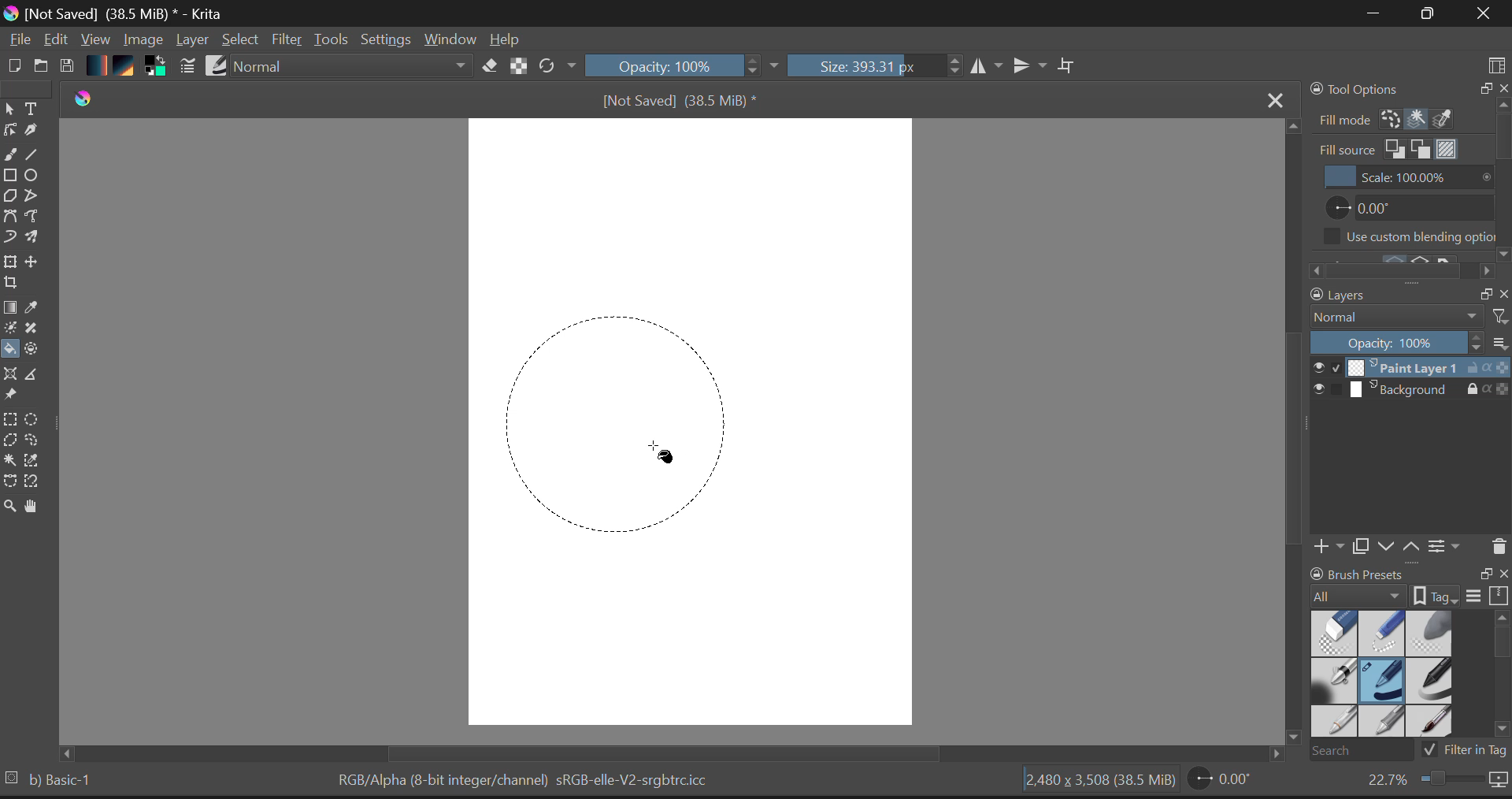 The height and width of the screenshot is (799, 1512). Describe the element at coordinates (1403, 423) in the screenshot. I see `Layers Docker` at that location.